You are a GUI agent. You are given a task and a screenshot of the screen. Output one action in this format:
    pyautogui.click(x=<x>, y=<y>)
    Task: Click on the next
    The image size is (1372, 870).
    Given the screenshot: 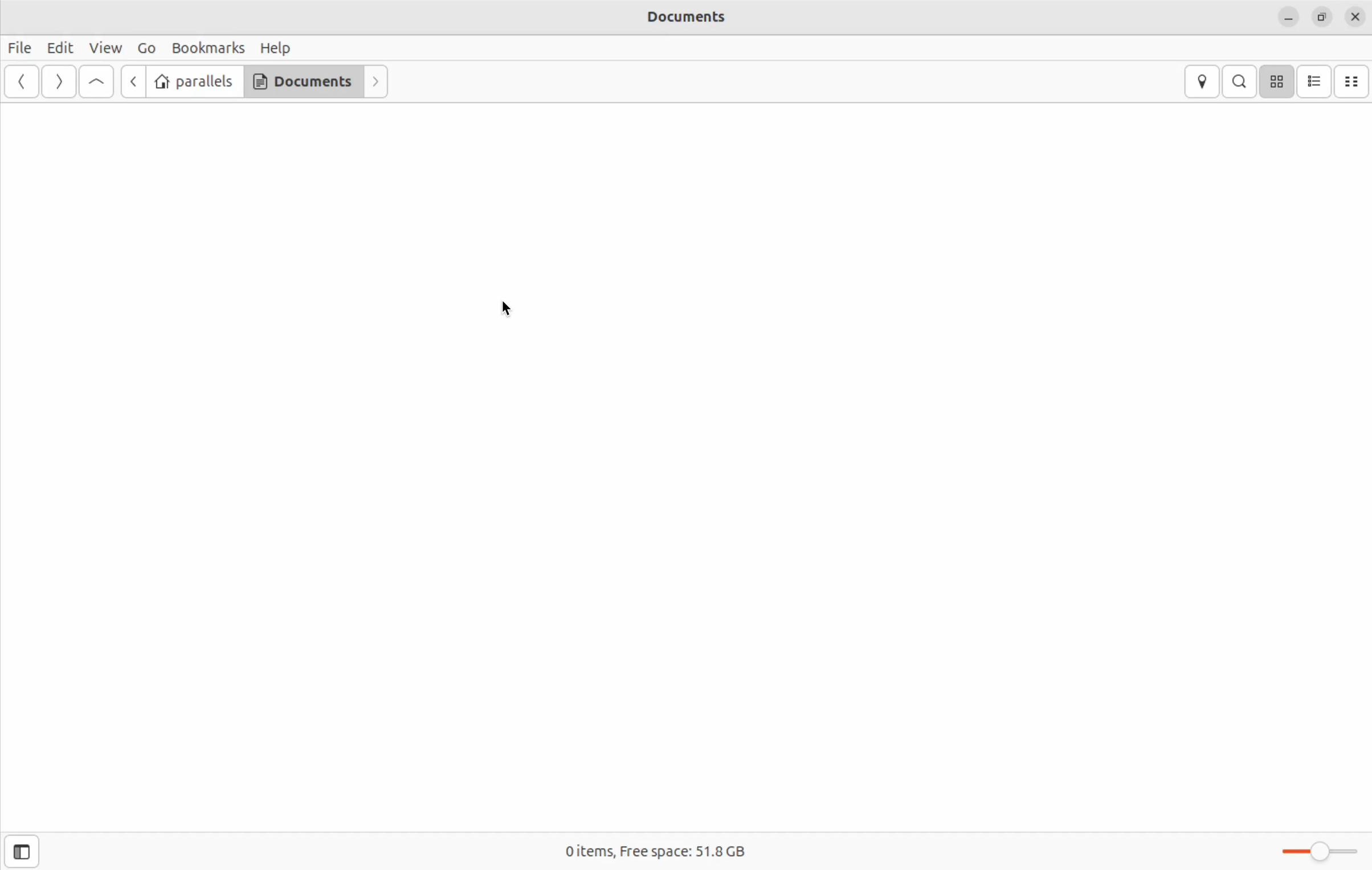 What is the action you would take?
    pyautogui.click(x=57, y=82)
    